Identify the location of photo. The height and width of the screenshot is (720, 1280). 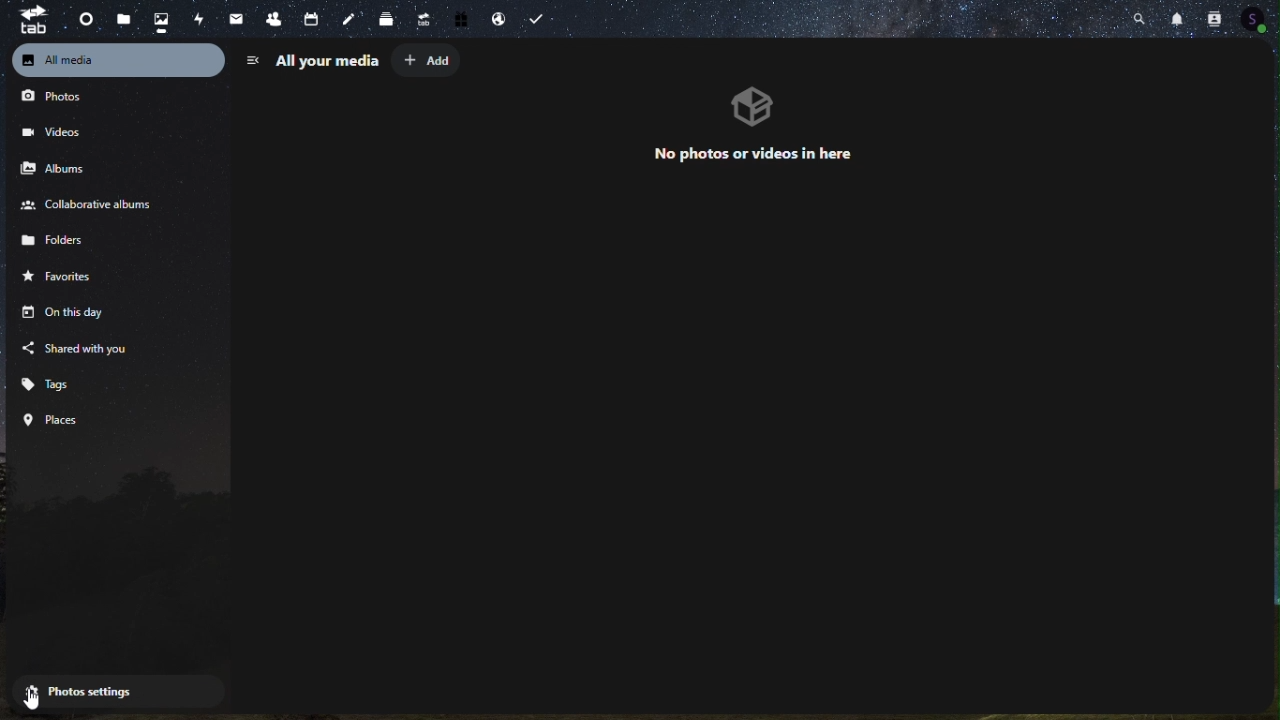
(163, 21).